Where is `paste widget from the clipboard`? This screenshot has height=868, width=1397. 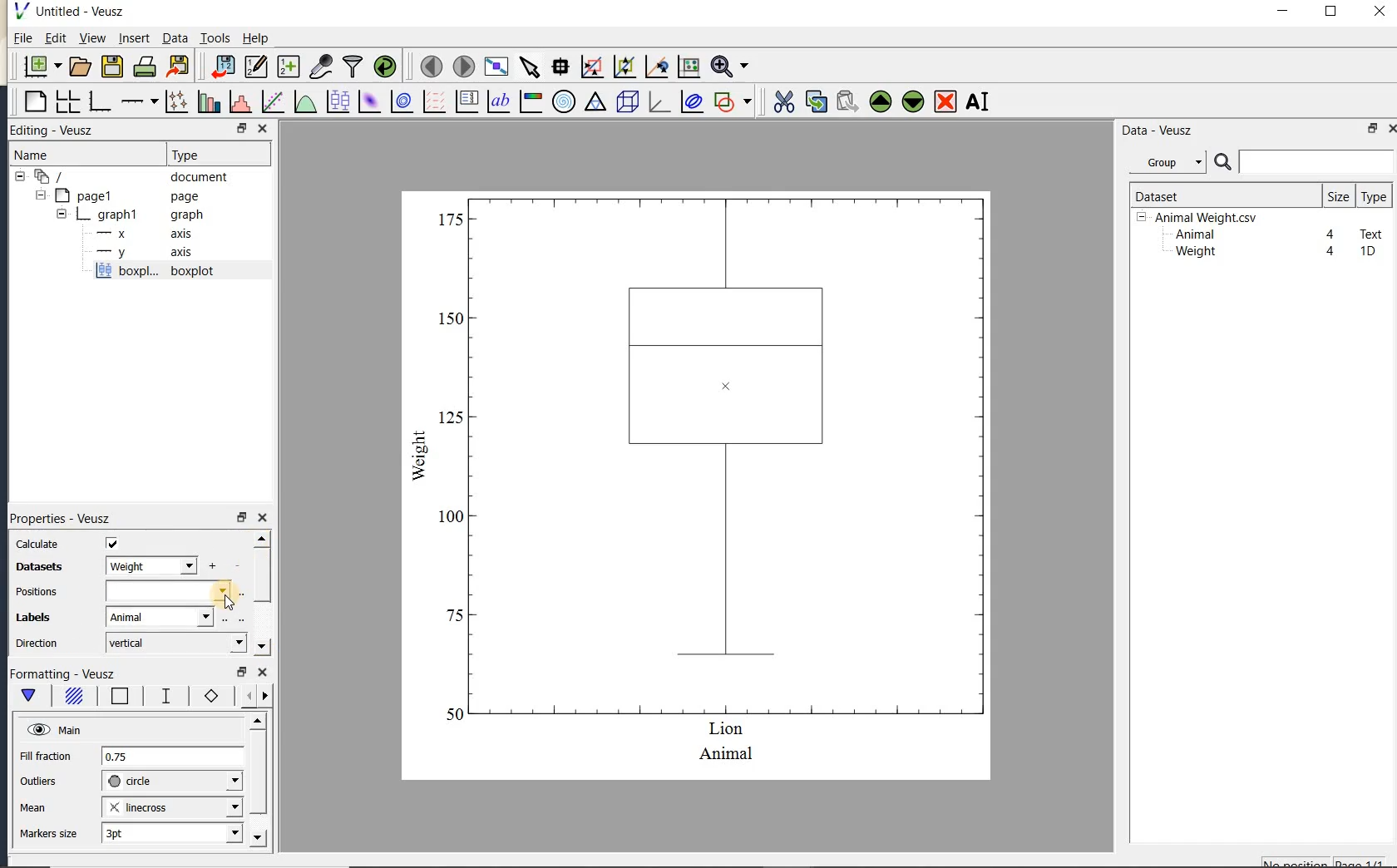 paste widget from the clipboard is located at coordinates (847, 103).